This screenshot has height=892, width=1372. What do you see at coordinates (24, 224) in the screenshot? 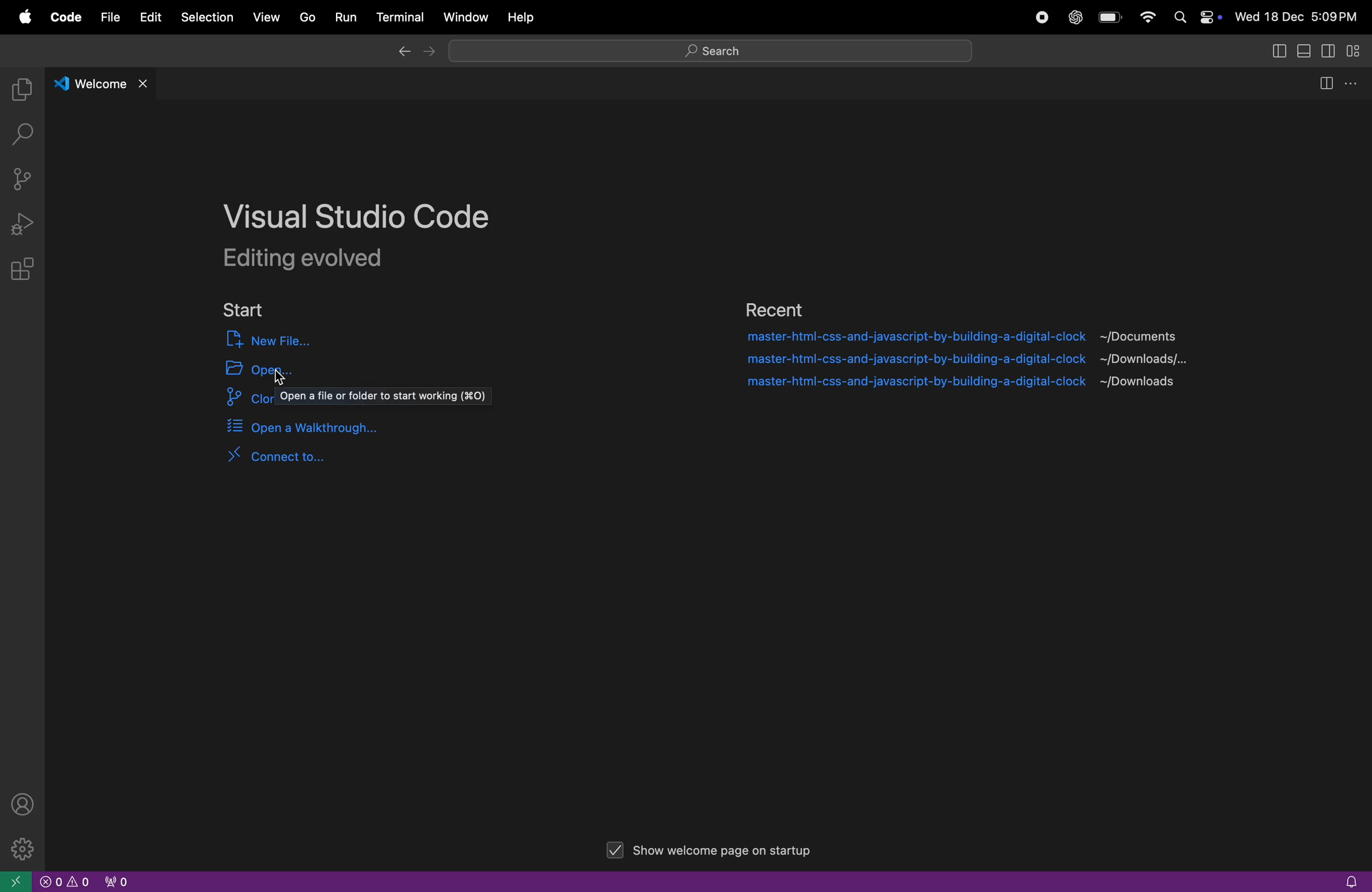
I see `run and debug` at bounding box center [24, 224].